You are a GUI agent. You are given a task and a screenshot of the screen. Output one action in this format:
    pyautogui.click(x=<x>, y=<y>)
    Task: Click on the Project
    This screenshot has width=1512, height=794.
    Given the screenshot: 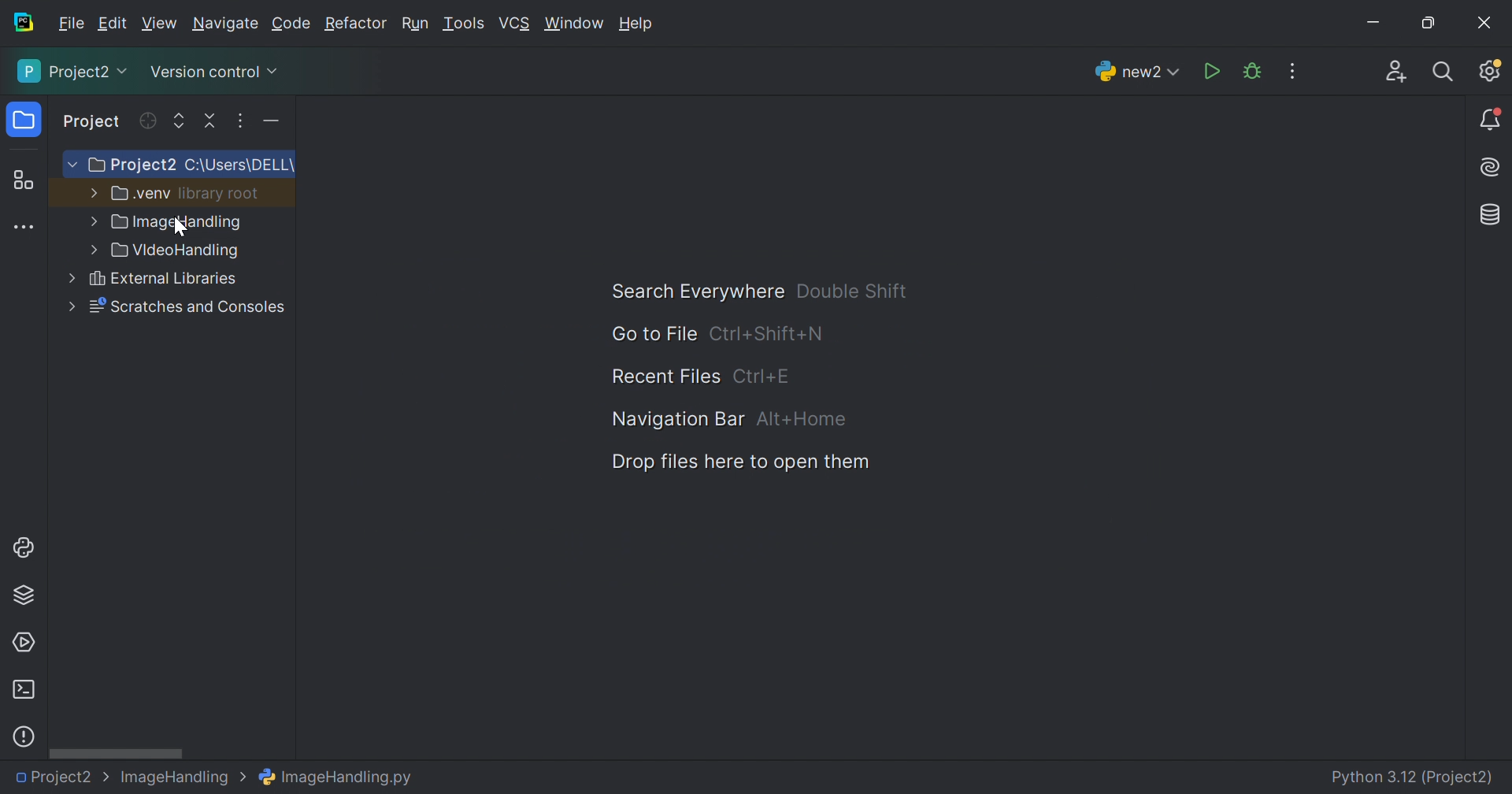 What is the action you would take?
    pyautogui.click(x=93, y=123)
    